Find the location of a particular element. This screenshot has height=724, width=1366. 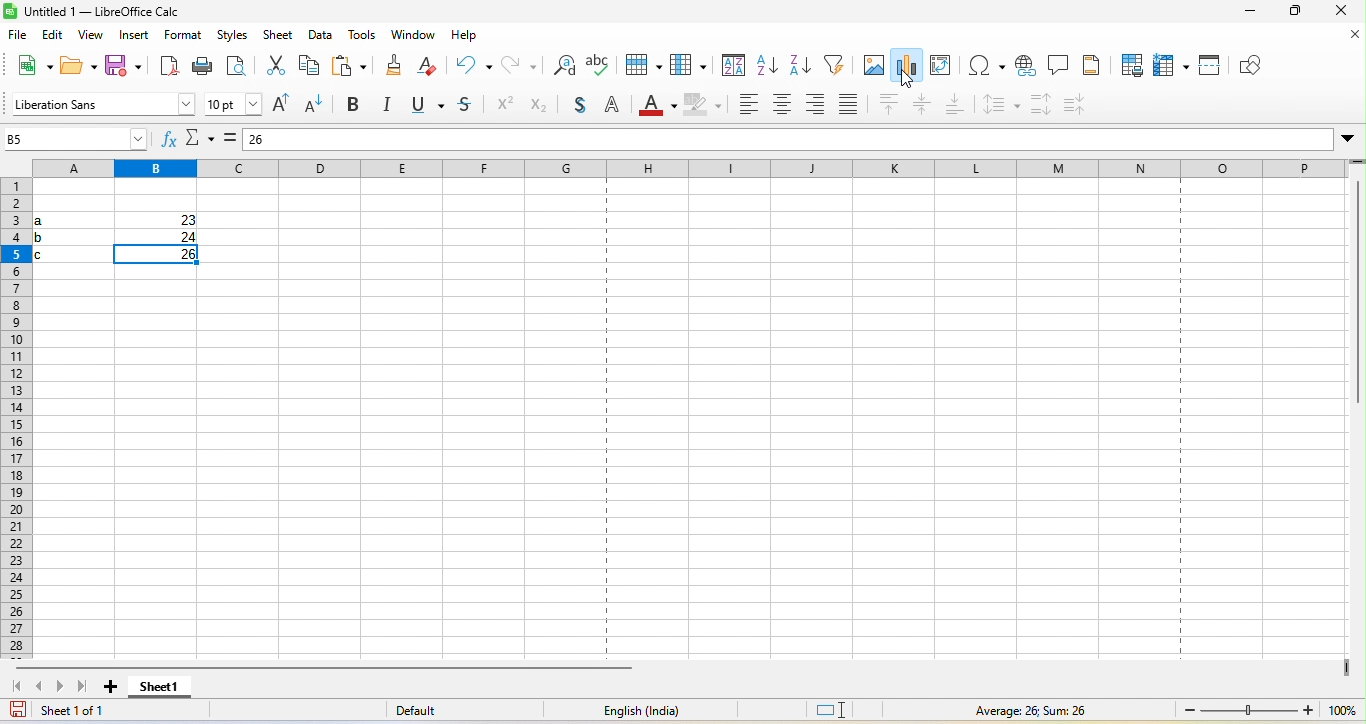

align center  is located at coordinates (783, 103).